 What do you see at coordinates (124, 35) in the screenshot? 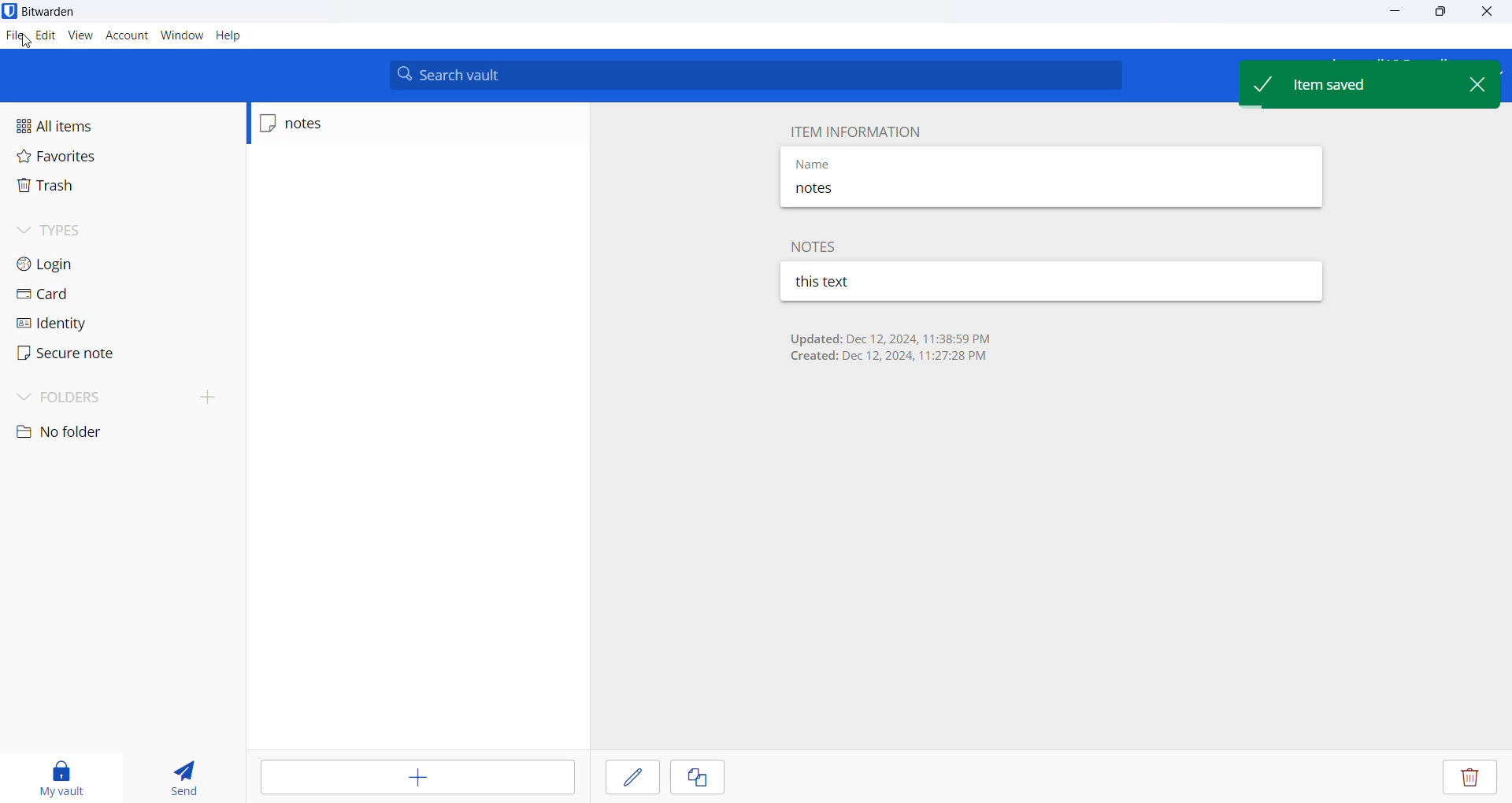
I see `account` at bounding box center [124, 35].